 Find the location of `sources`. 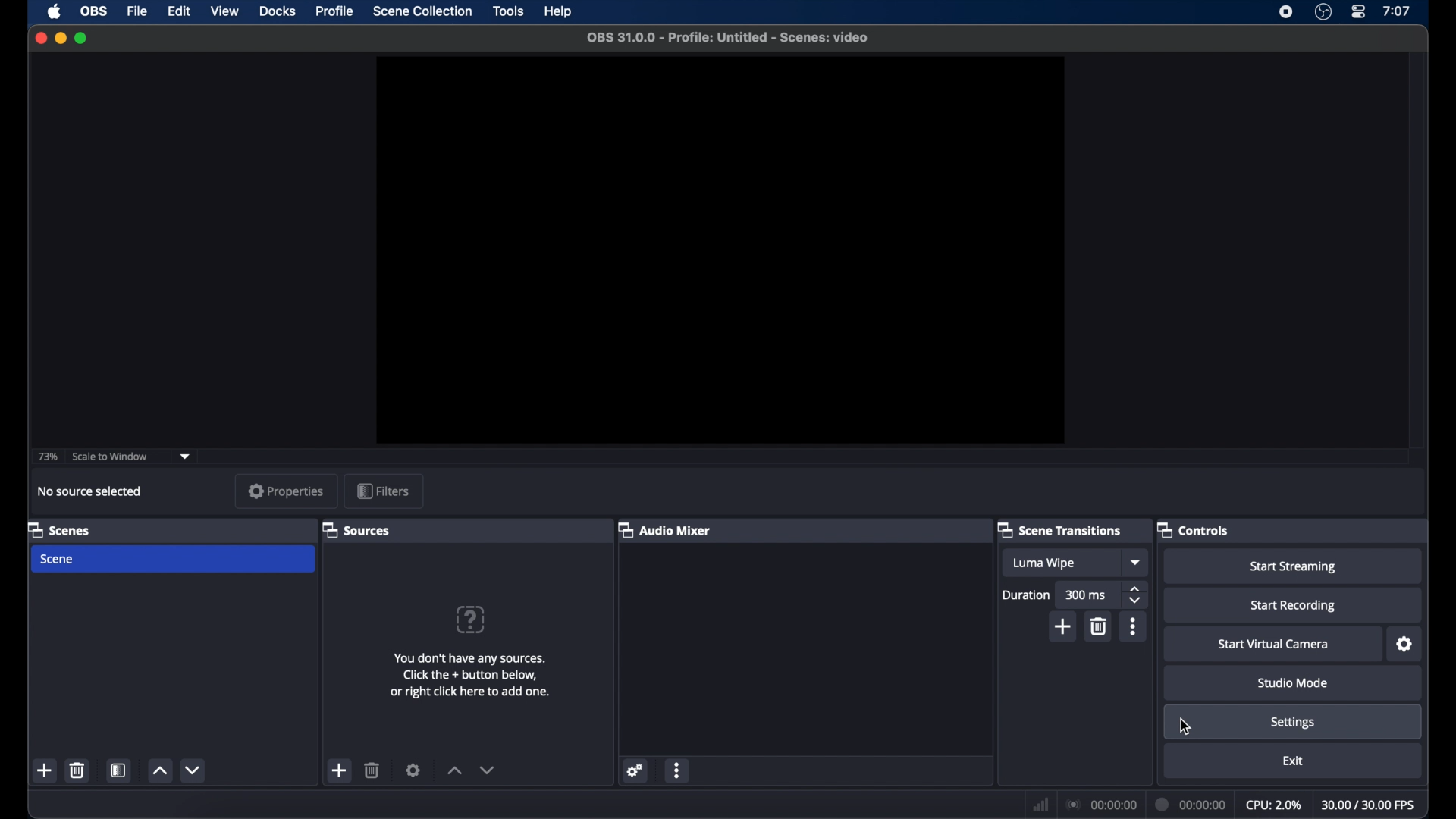

sources is located at coordinates (356, 529).